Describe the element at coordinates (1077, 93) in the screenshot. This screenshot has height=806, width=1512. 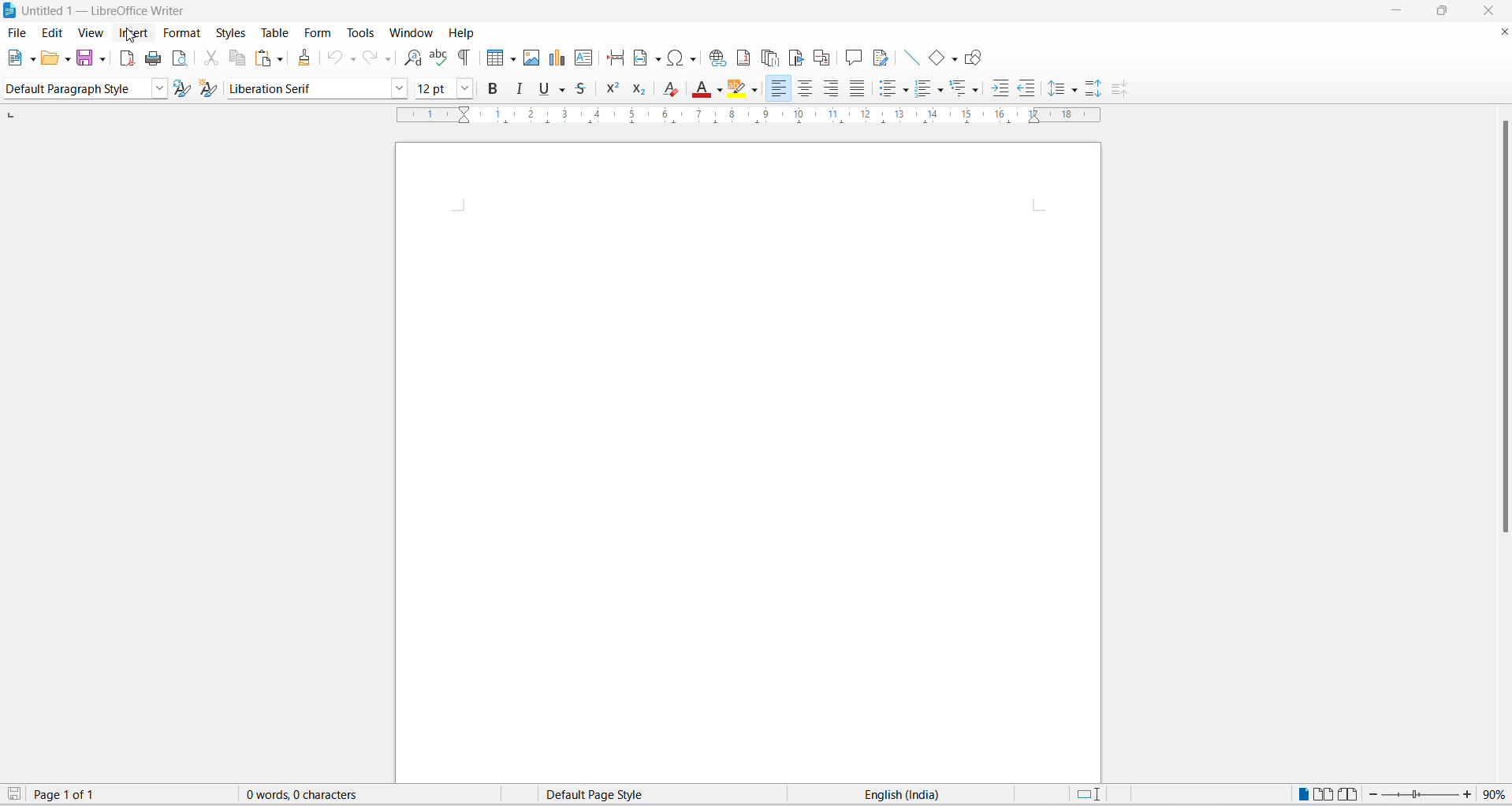
I see `line spacing options` at that location.